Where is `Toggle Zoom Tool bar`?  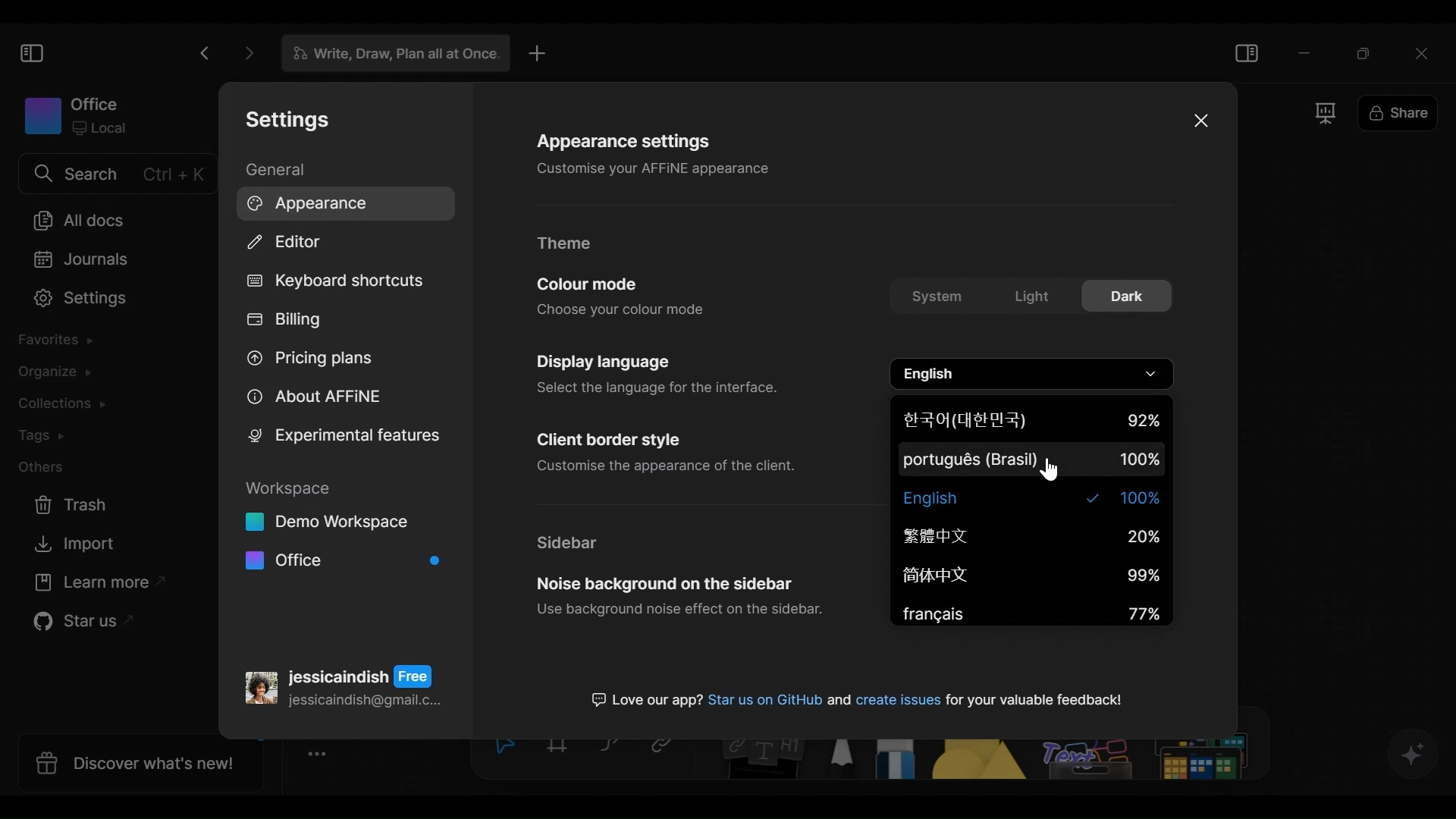
Toggle Zoom Tool bar is located at coordinates (322, 755).